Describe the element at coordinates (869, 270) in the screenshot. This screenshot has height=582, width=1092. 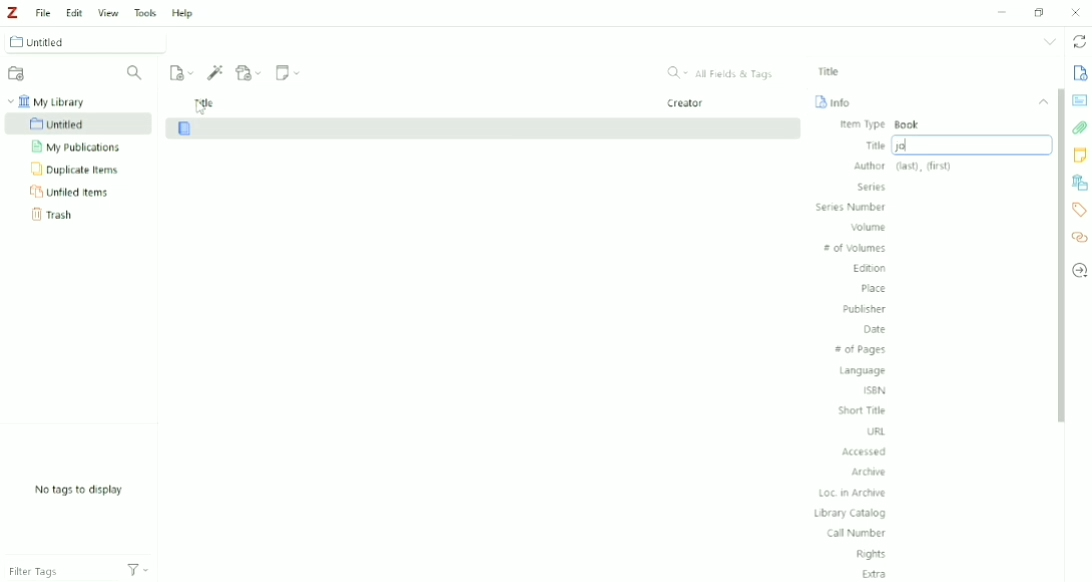
I see `Edition` at that location.